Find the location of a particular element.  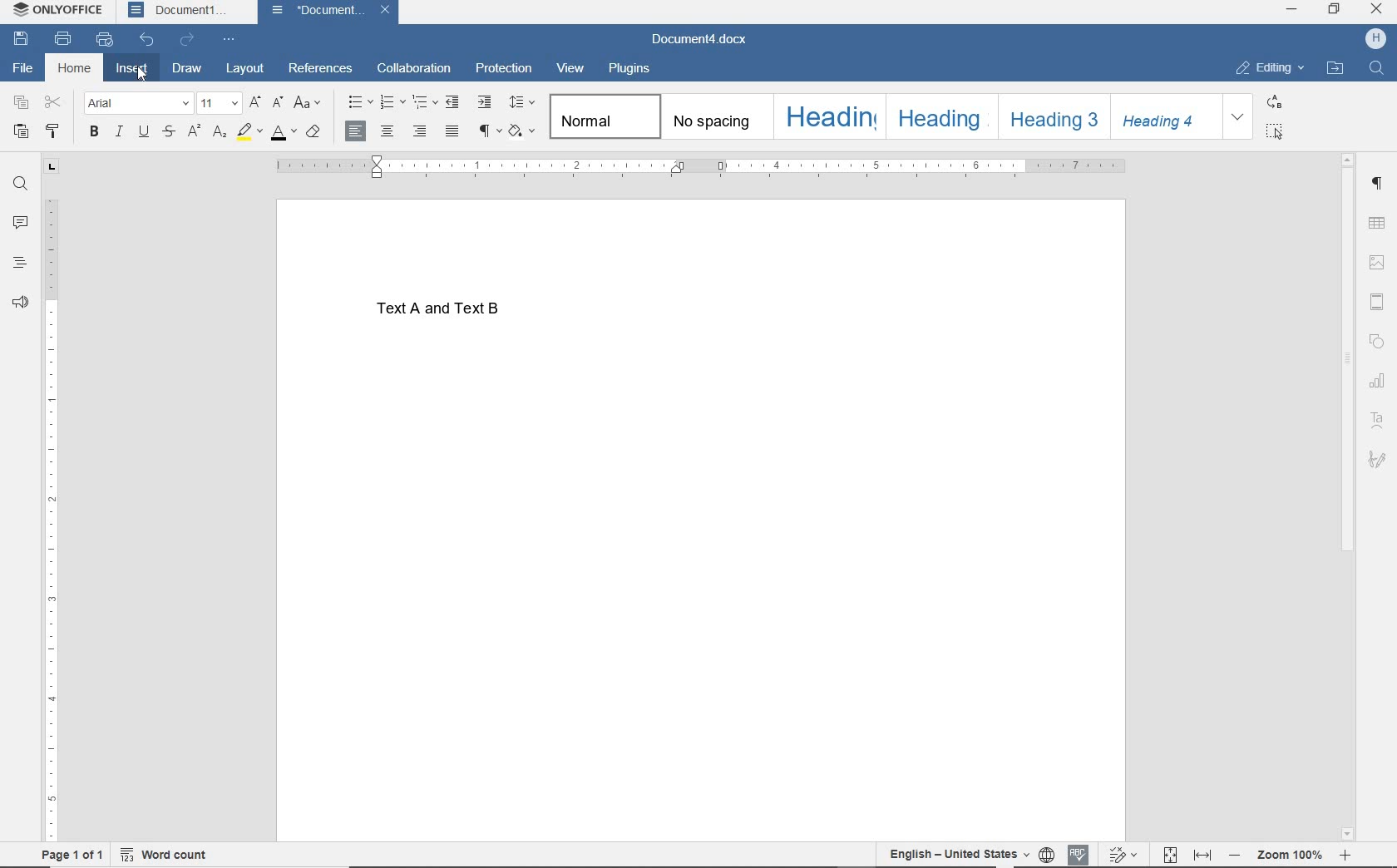

FONT is located at coordinates (136, 102).